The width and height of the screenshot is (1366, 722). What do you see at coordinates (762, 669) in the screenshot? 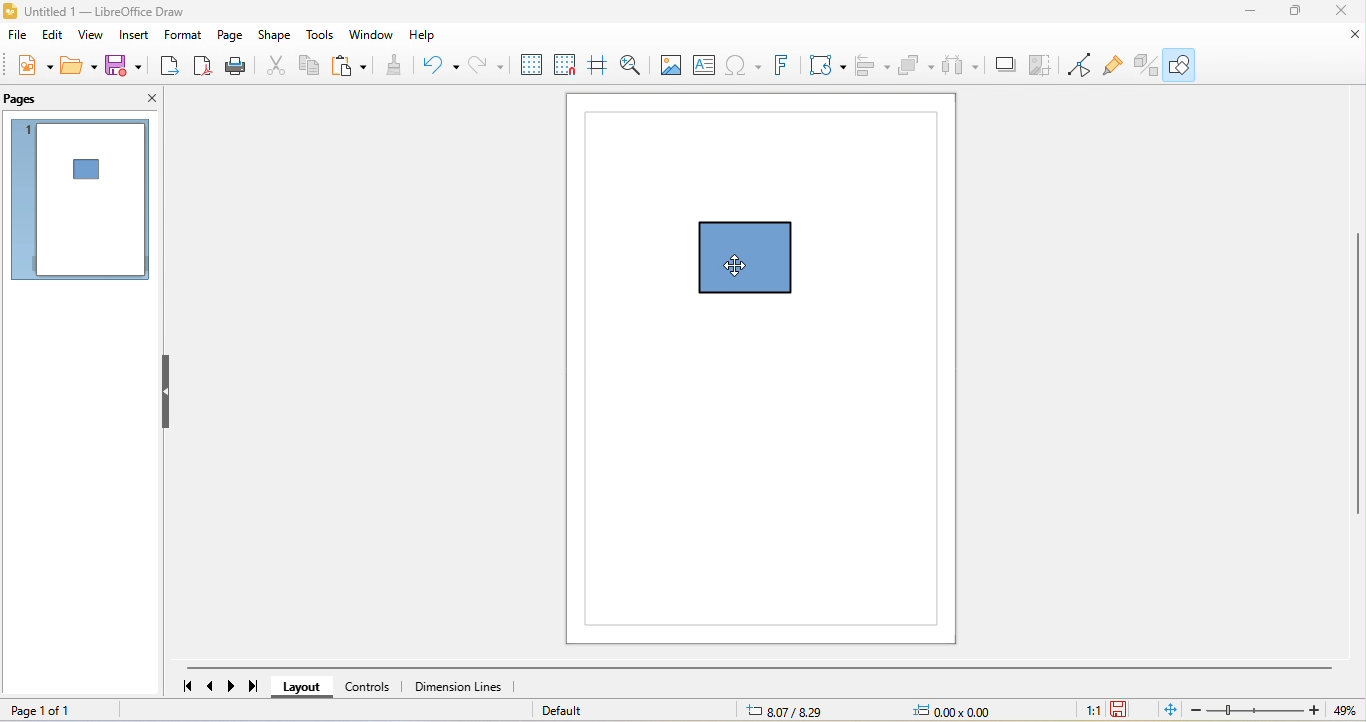
I see `horizontal scroll bar` at bounding box center [762, 669].